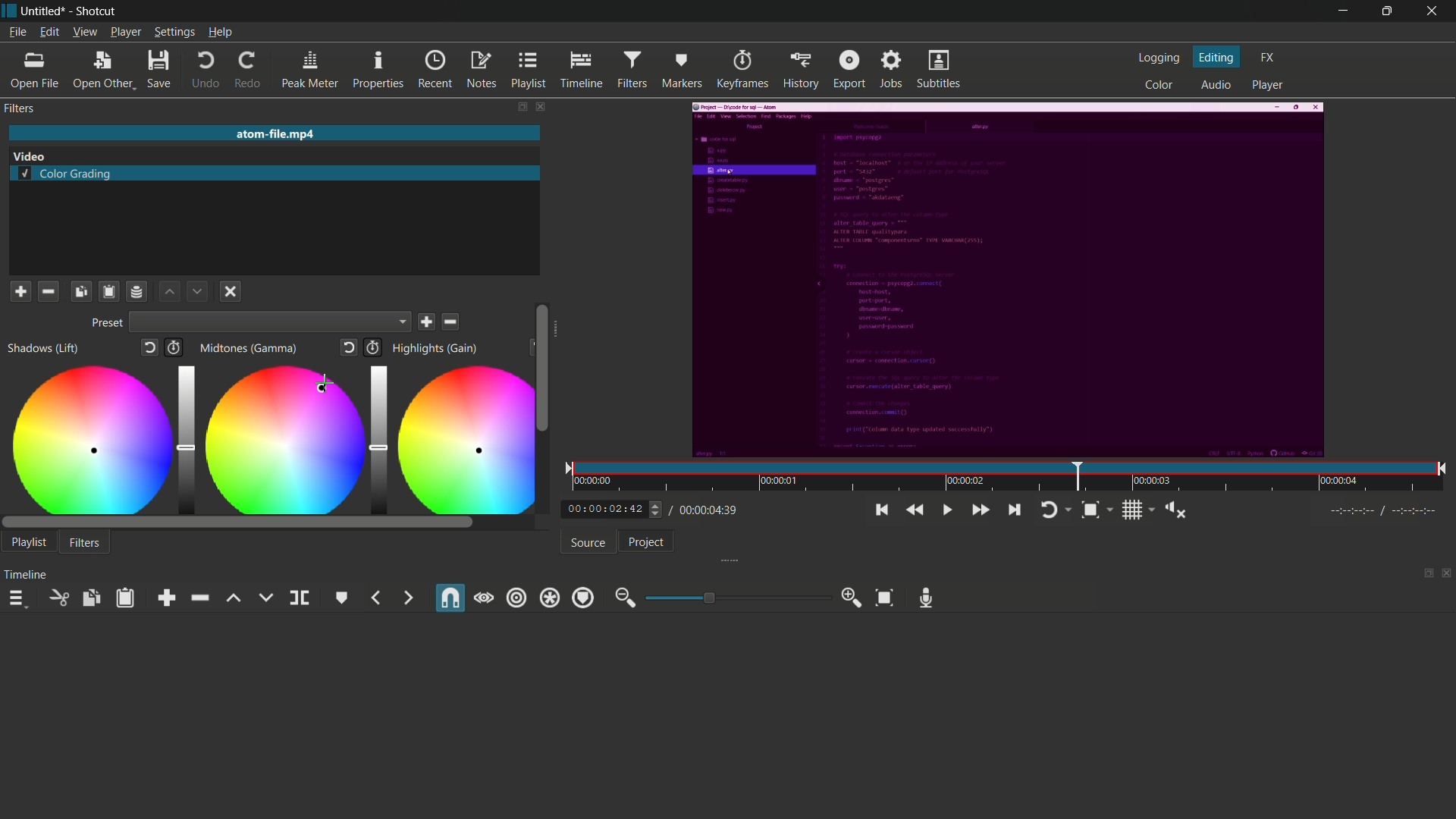 This screenshot has height=819, width=1456. What do you see at coordinates (938, 69) in the screenshot?
I see `subtitles` at bounding box center [938, 69].